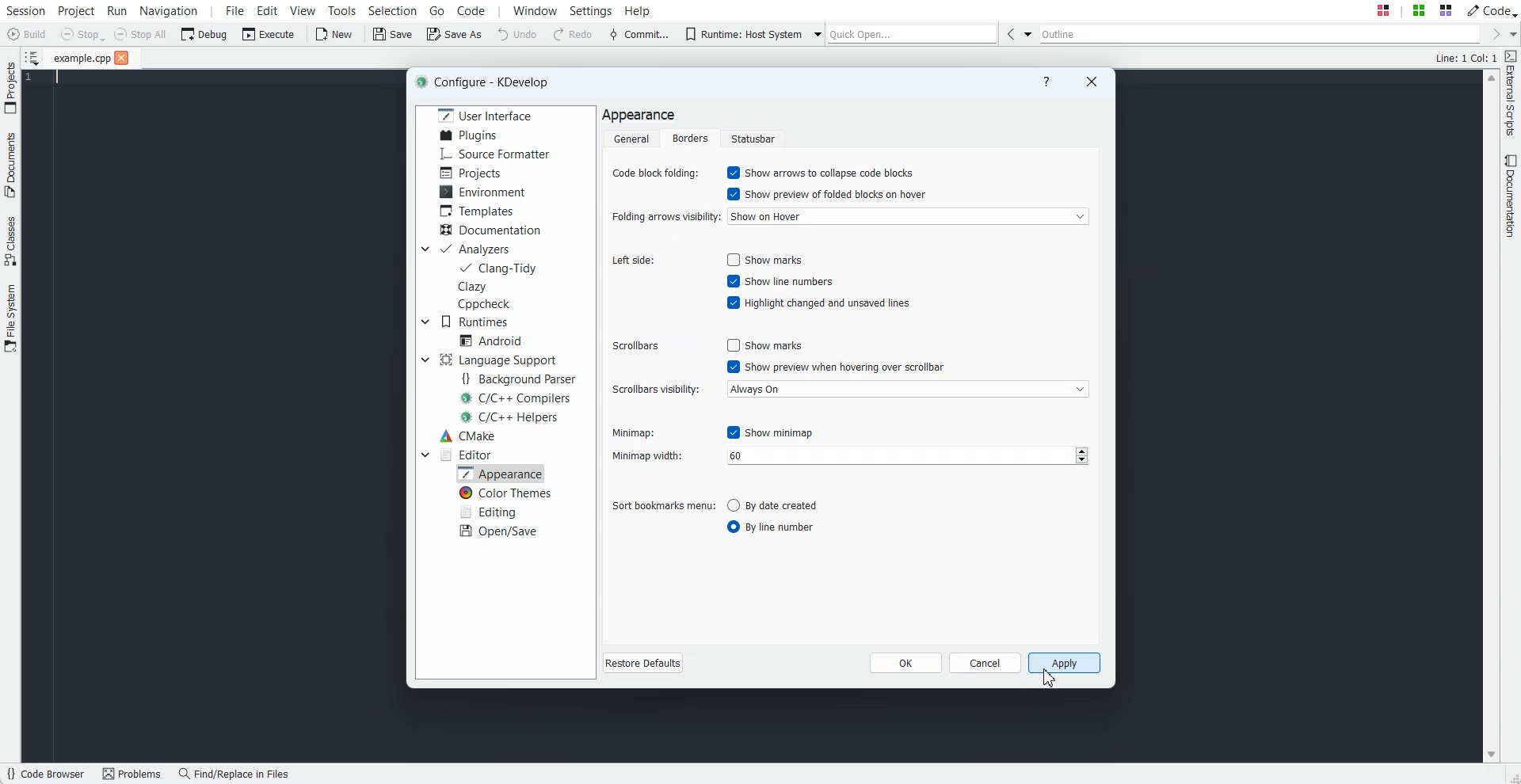 This screenshot has width=1521, height=784. I want to click on Borders, so click(691, 138).